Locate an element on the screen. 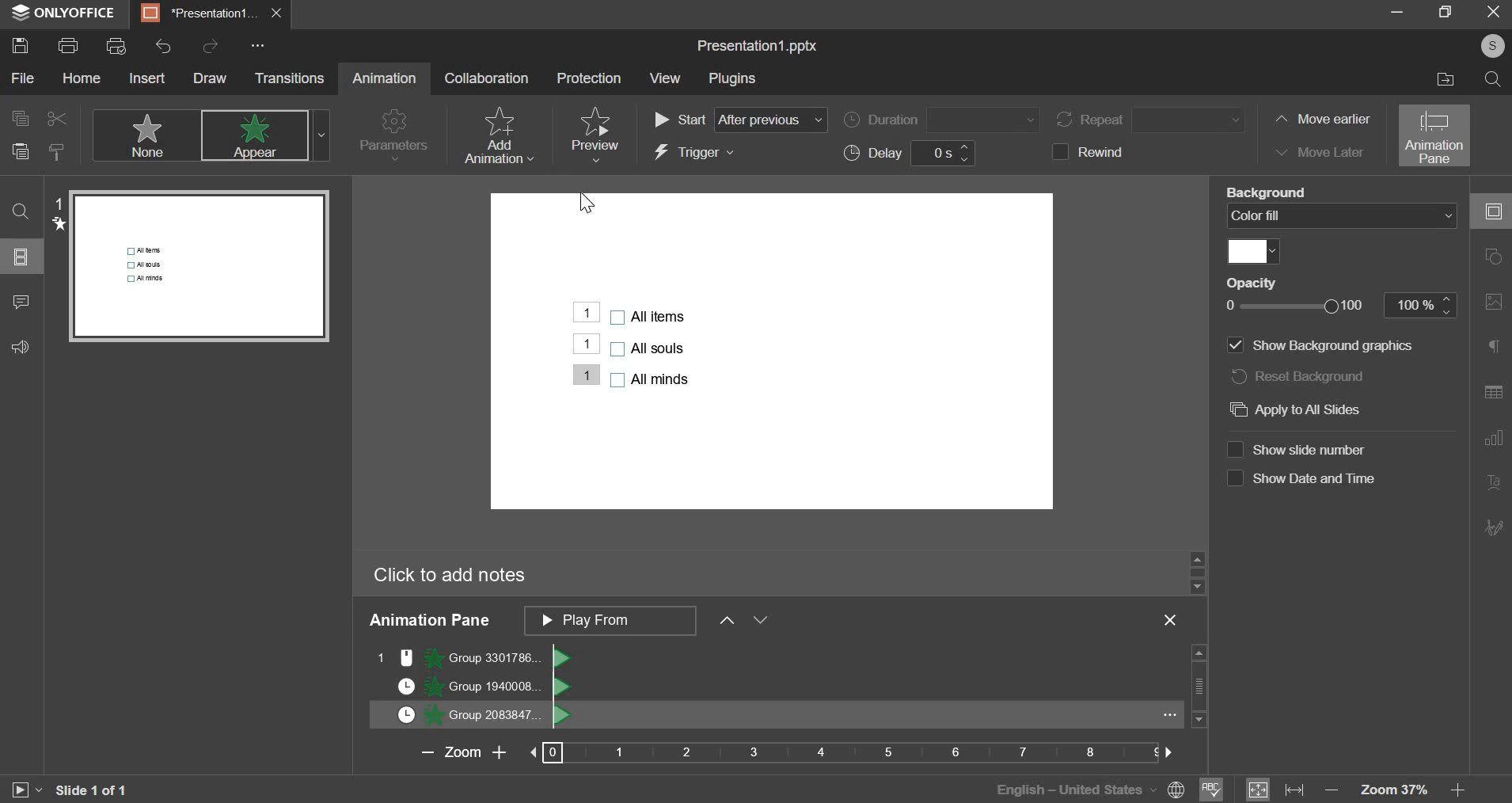 Image resolution: width=1512 pixels, height=803 pixels. bullet points is located at coordinates (648, 349).